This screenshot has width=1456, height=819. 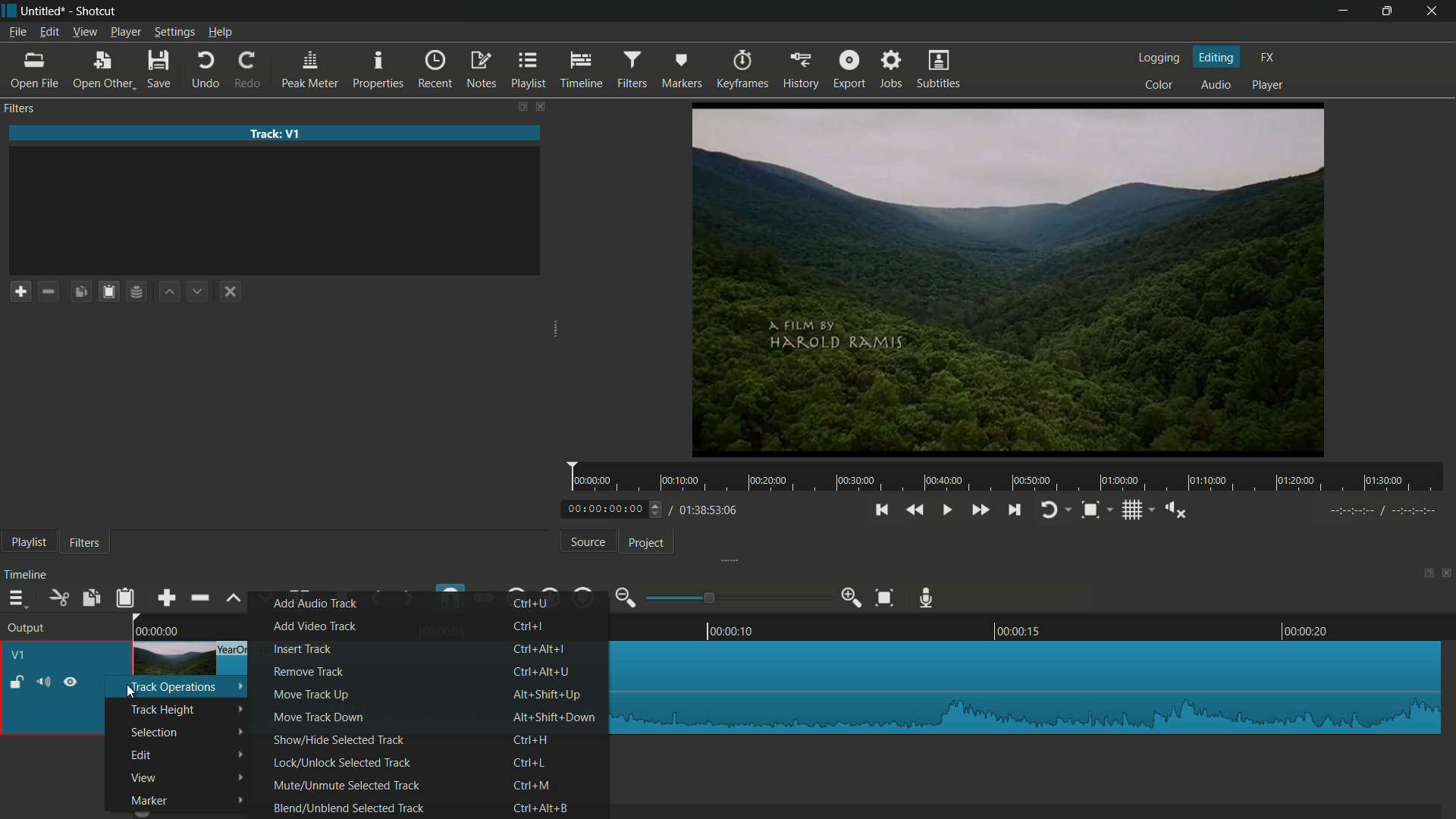 What do you see at coordinates (316, 603) in the screenshot?
I see `add audio track` at bounding box center [316, 603].